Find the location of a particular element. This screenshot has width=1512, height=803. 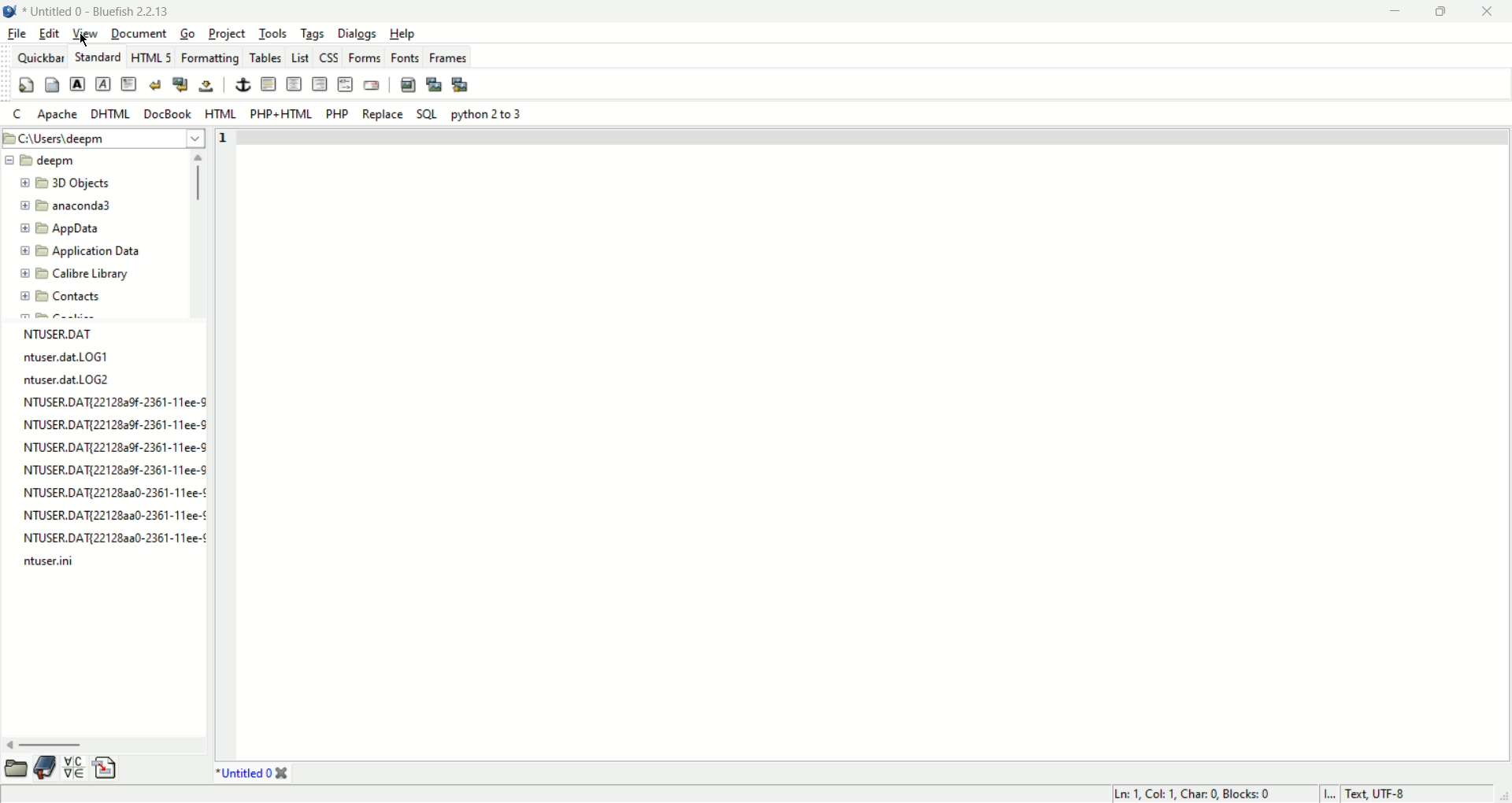

HTML comment is located at coordinates (345, 83).